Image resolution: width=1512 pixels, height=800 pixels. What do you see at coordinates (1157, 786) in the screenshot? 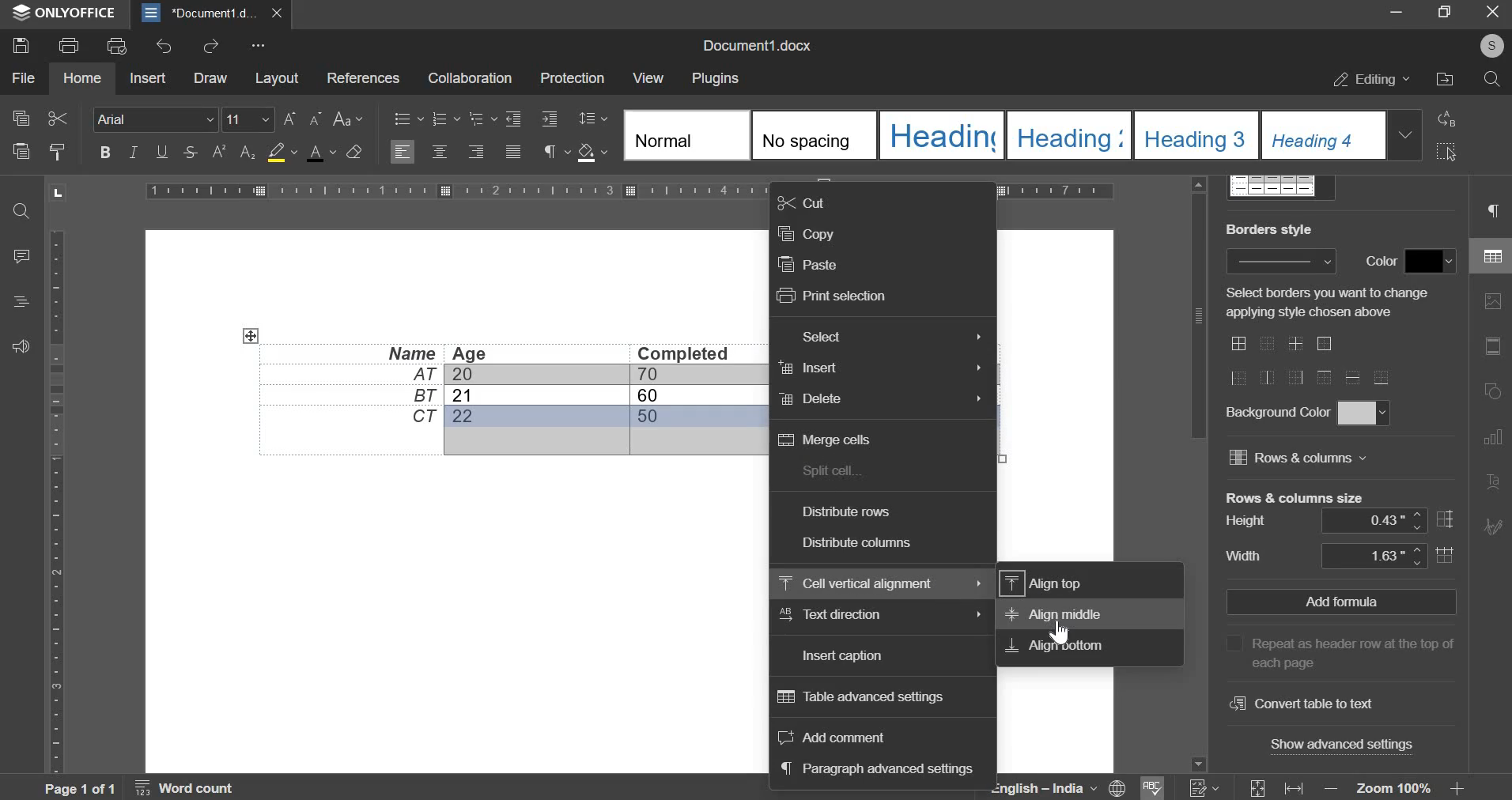
I see `spell check` at bounding box center [1157, 786].